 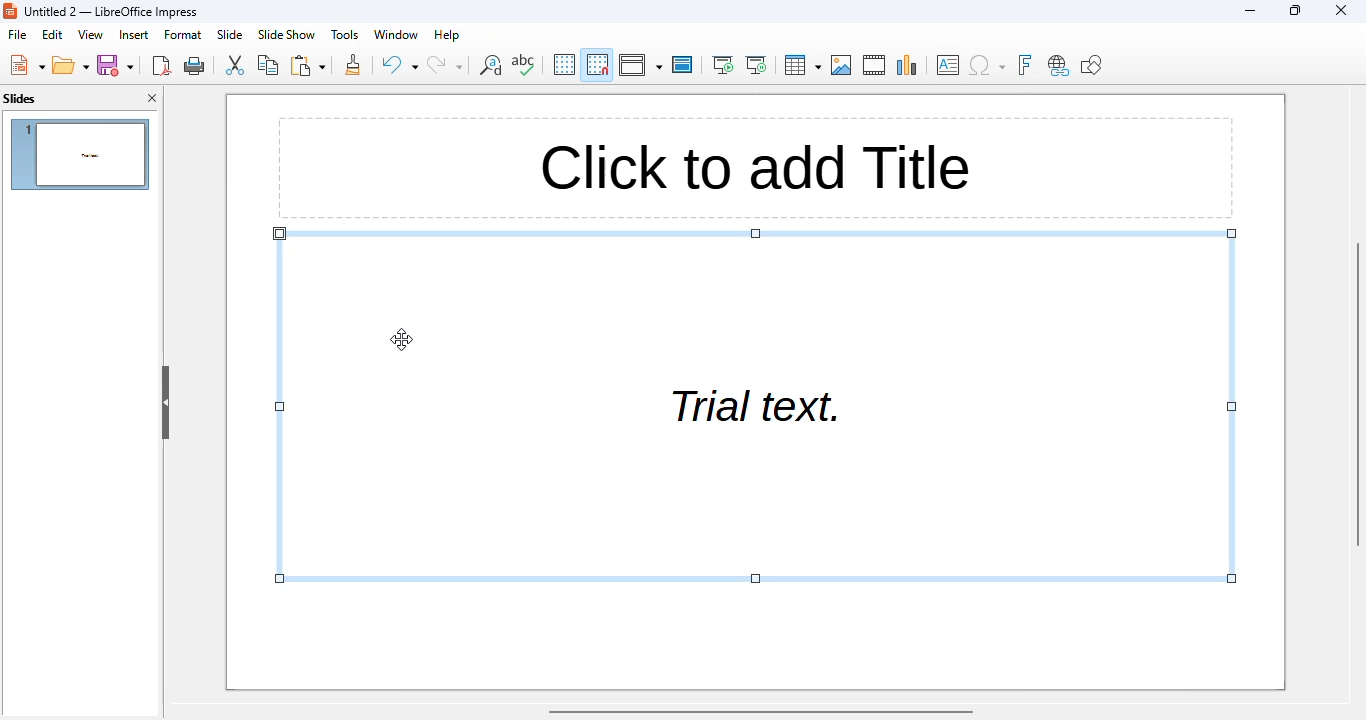 I want to click on slide, so click(x=231, y=34).